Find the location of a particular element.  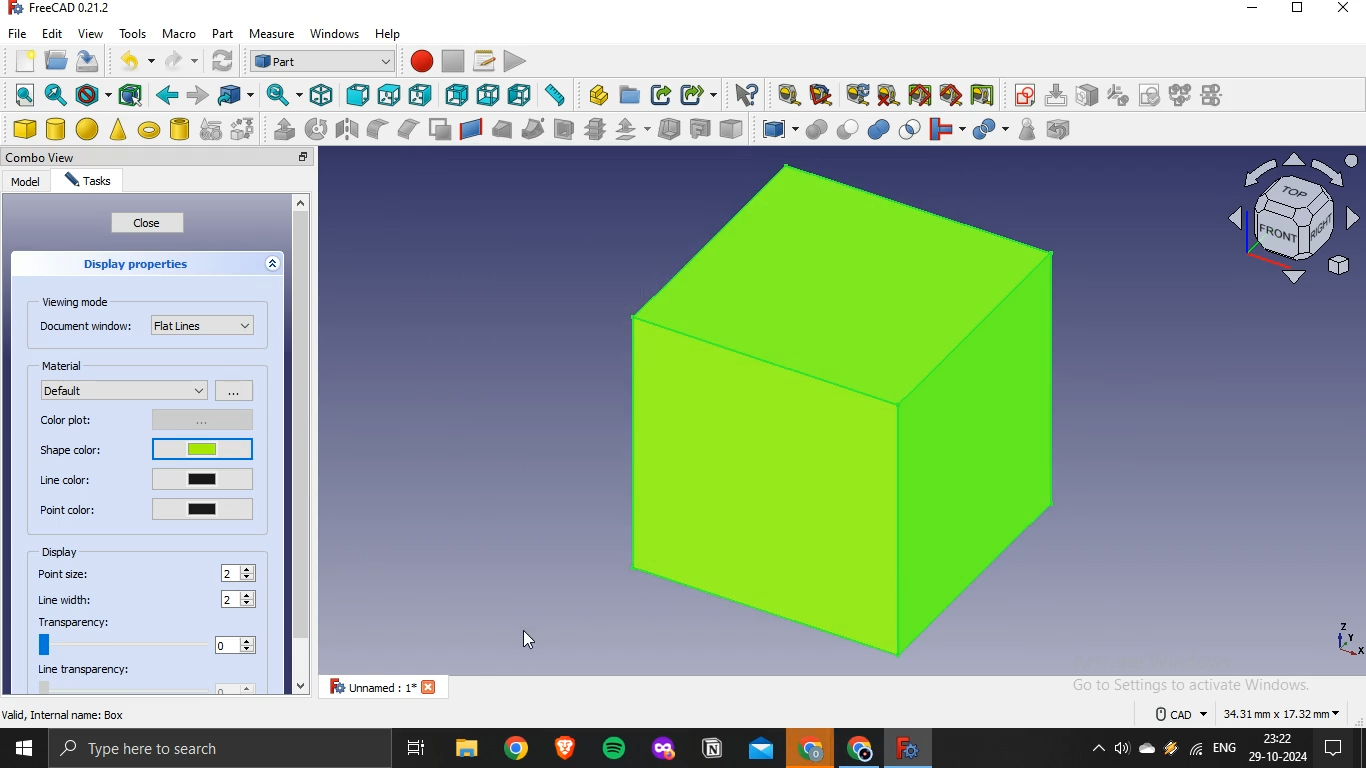

extrude is located at coordinates (284, 129).